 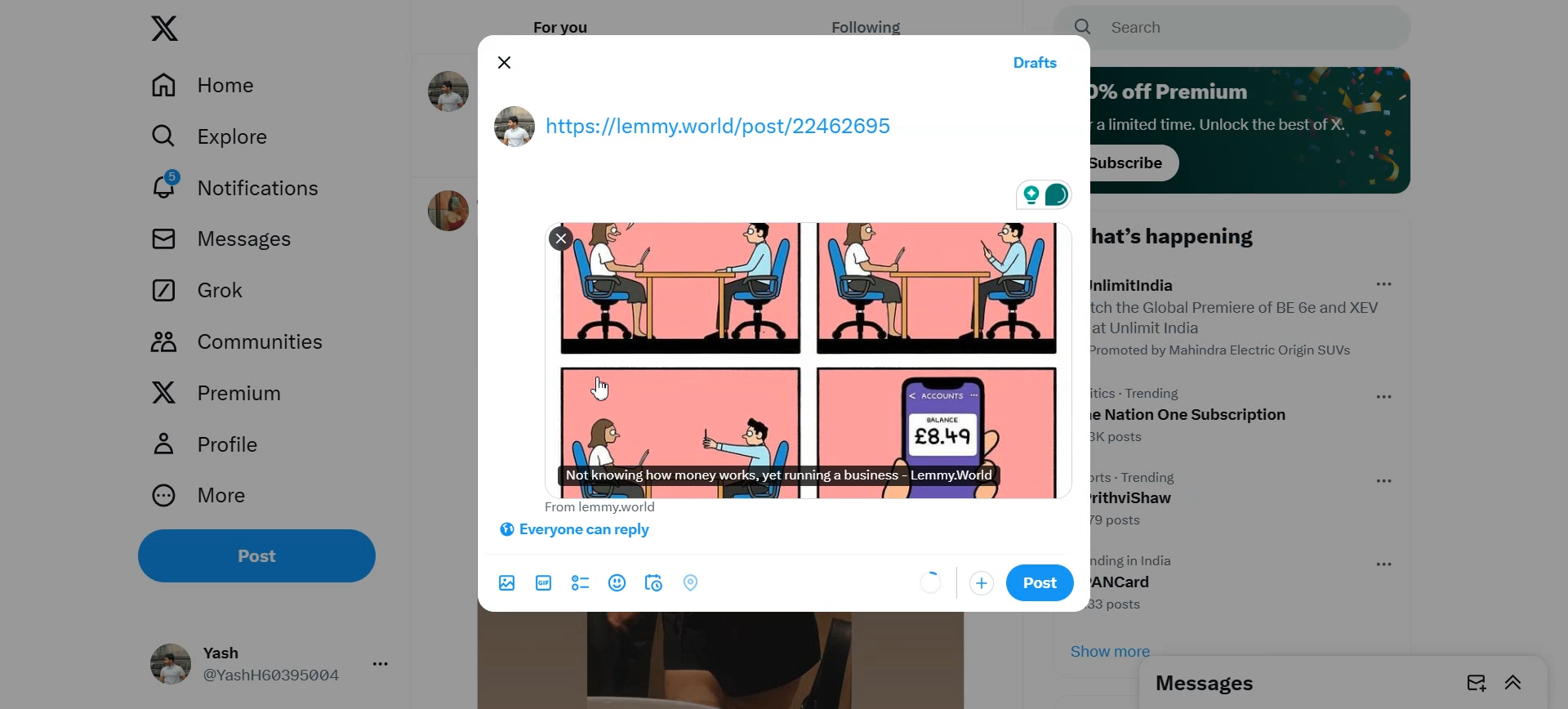 I want to click on search, so click(x=1237, y=29).